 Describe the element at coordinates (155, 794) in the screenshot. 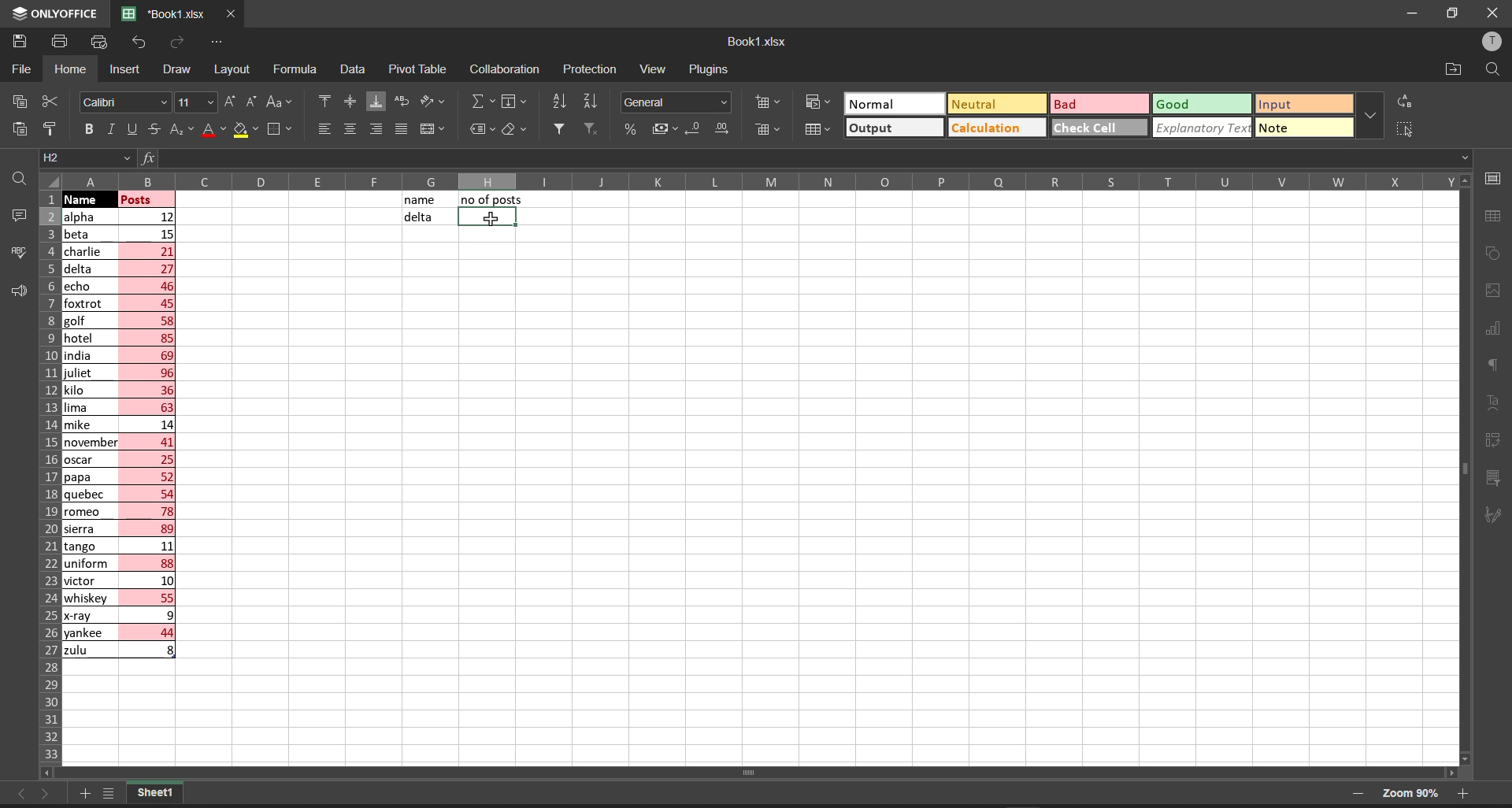

I see `sheet1` at that location.